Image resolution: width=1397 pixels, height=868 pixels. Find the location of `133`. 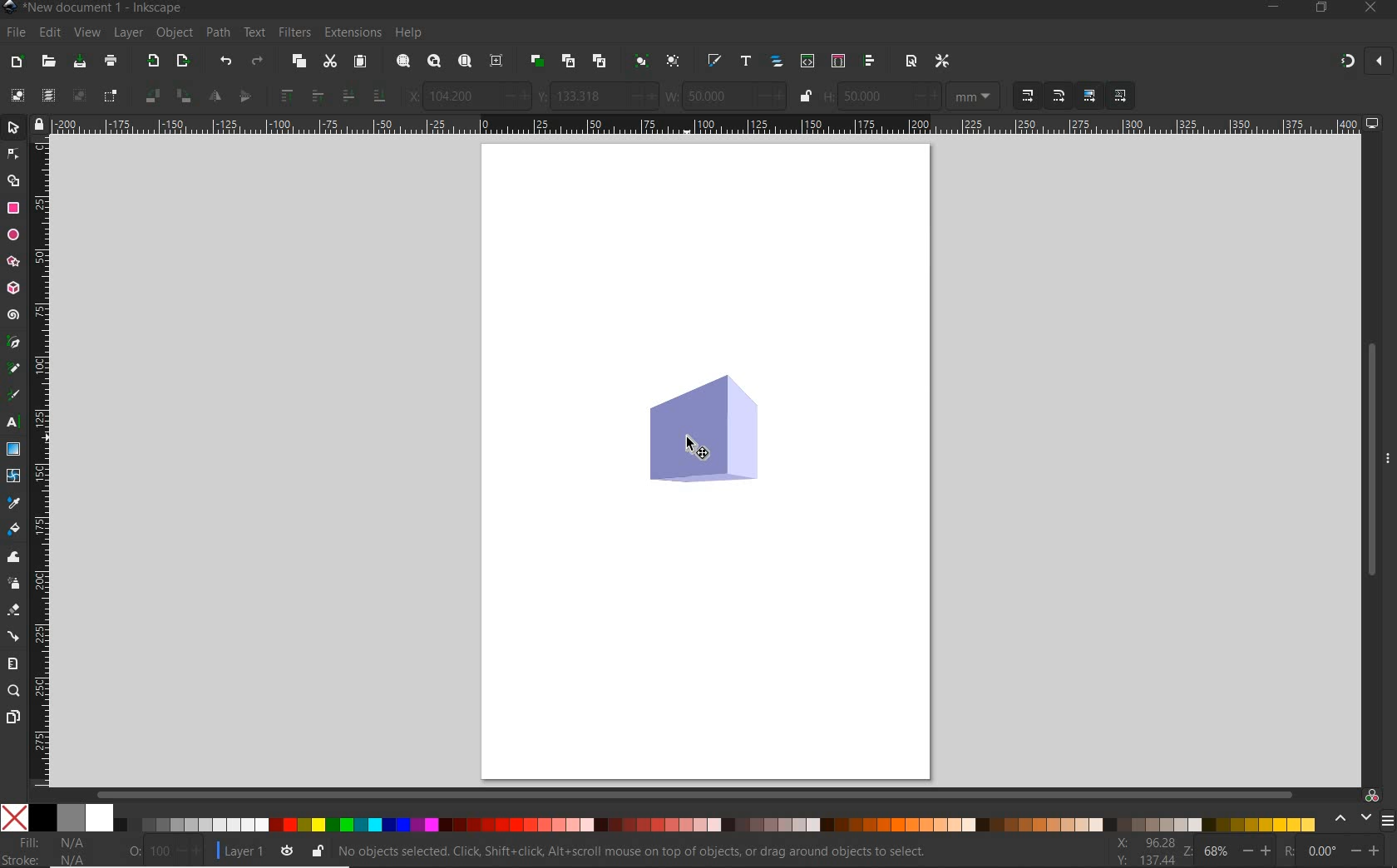

133 is located at coordinates (588, 96).